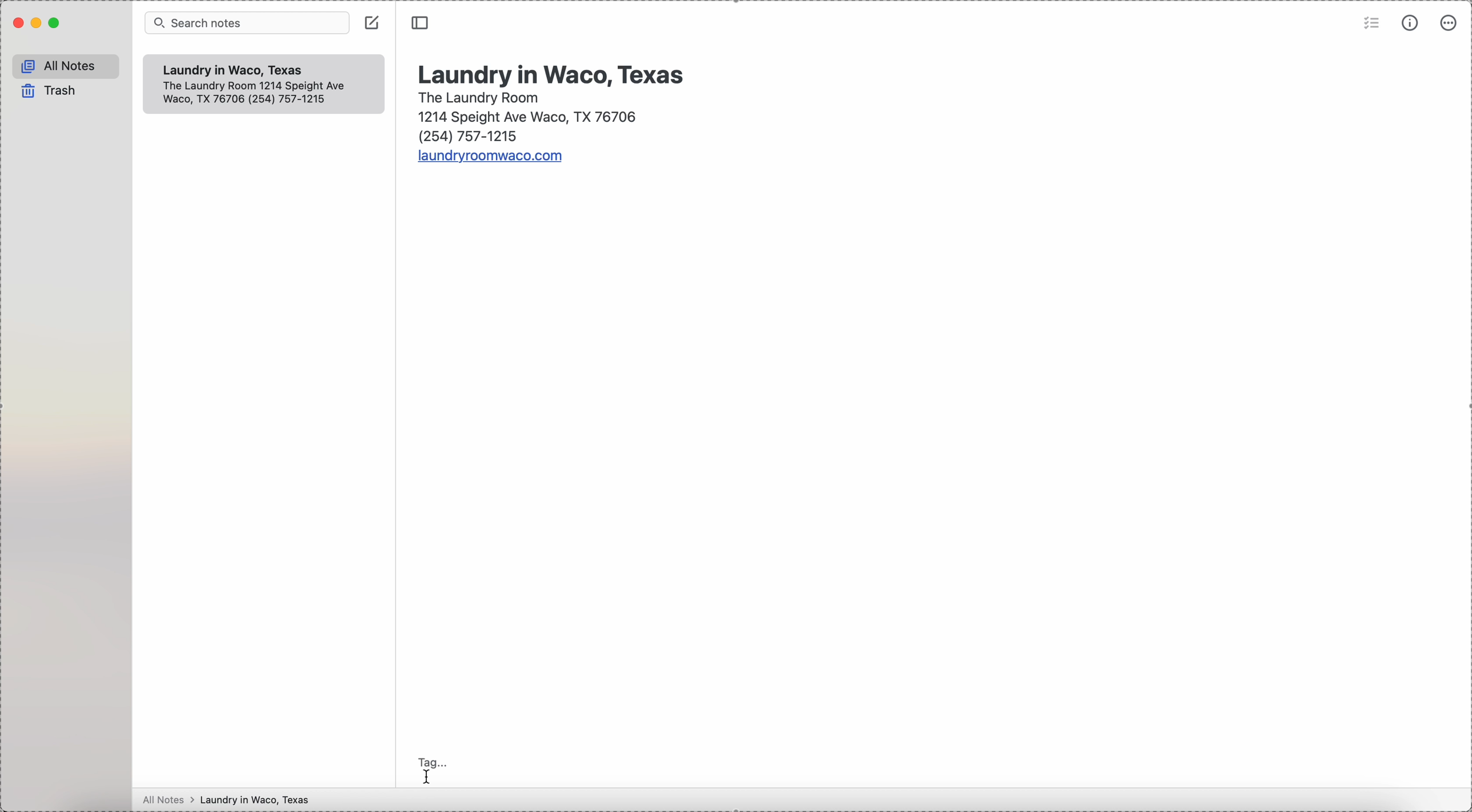 Image resolution: width=1472 pixels, height=812 pixels. What do you see at coordinates (49, 91) in the screenshot?
I see `trash` at bounding box center [49, 91].